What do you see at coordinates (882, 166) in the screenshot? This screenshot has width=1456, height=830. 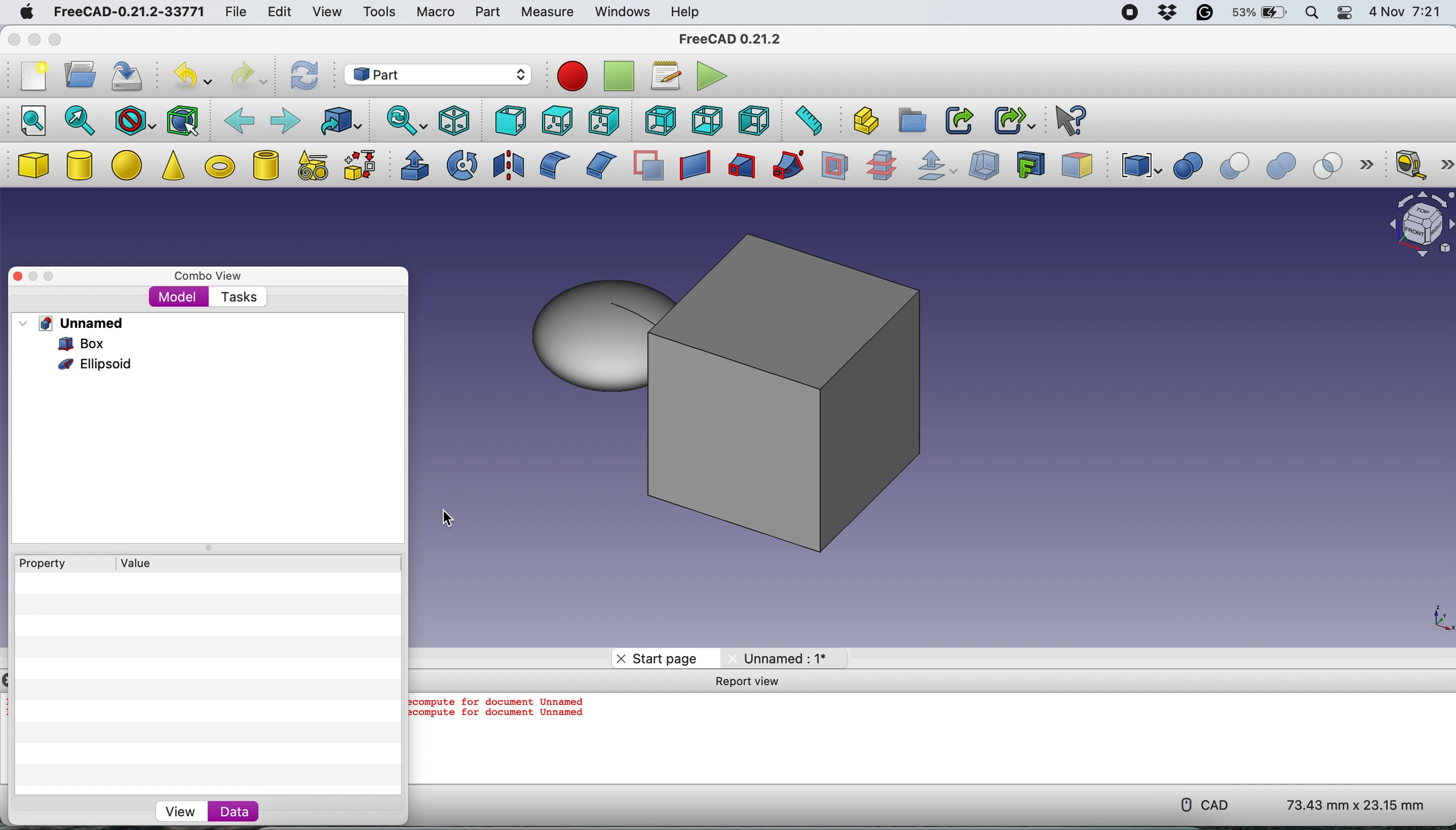 I see `cross section` at bounding box center [882, 166].